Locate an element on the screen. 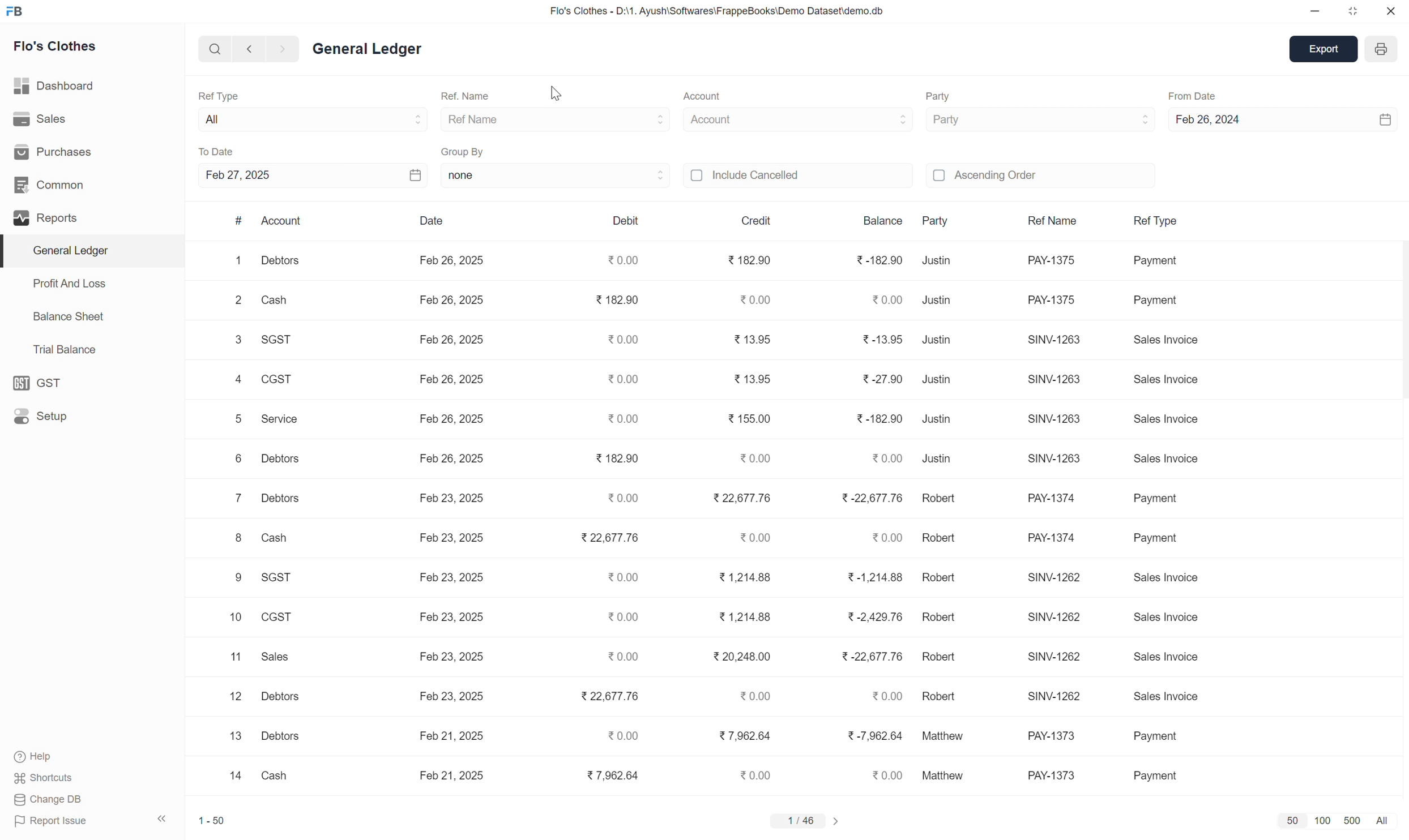  0.00 is located at coordinates (886, 539).